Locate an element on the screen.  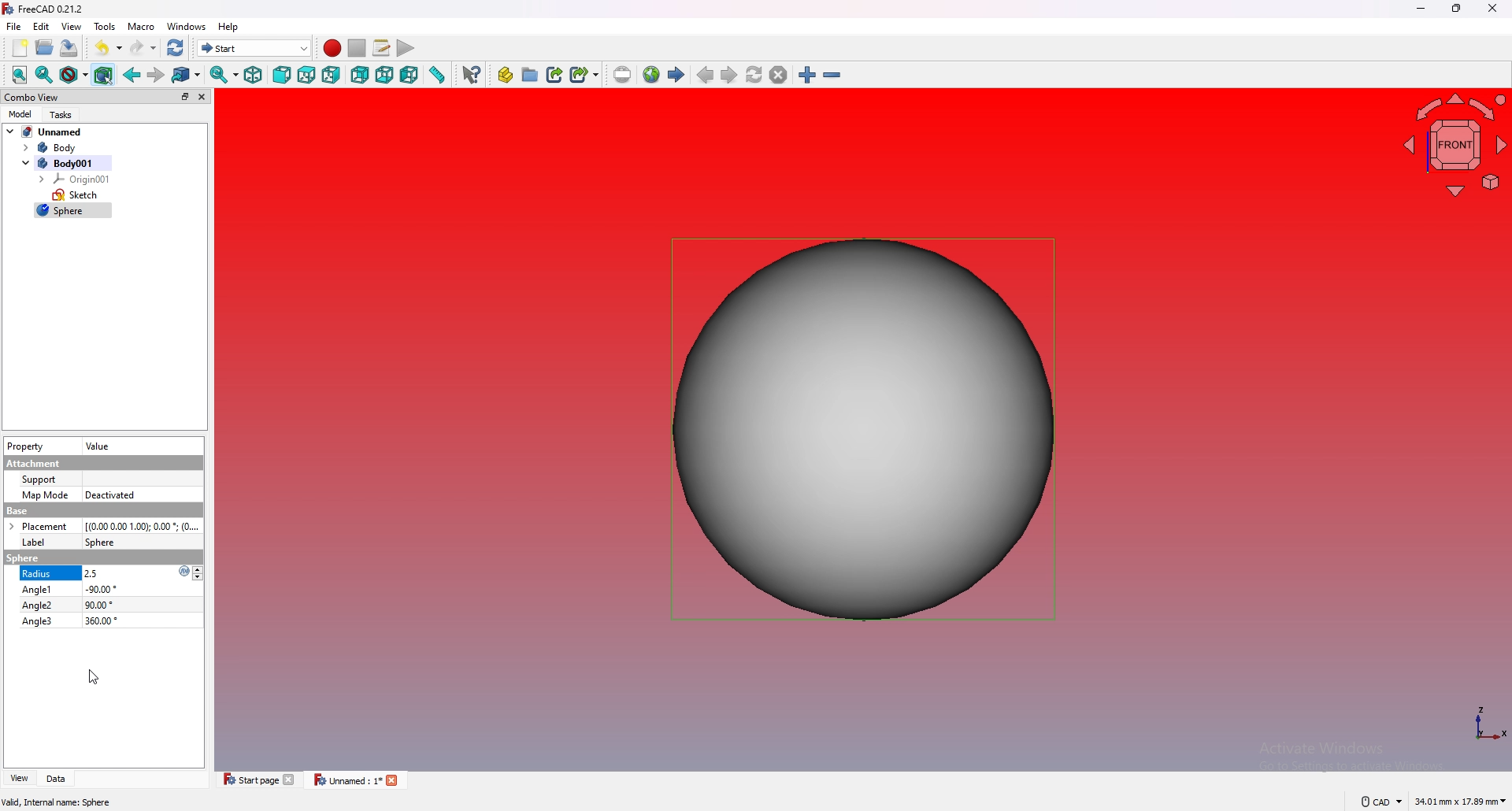
rear is located at coordinates (360, 74).